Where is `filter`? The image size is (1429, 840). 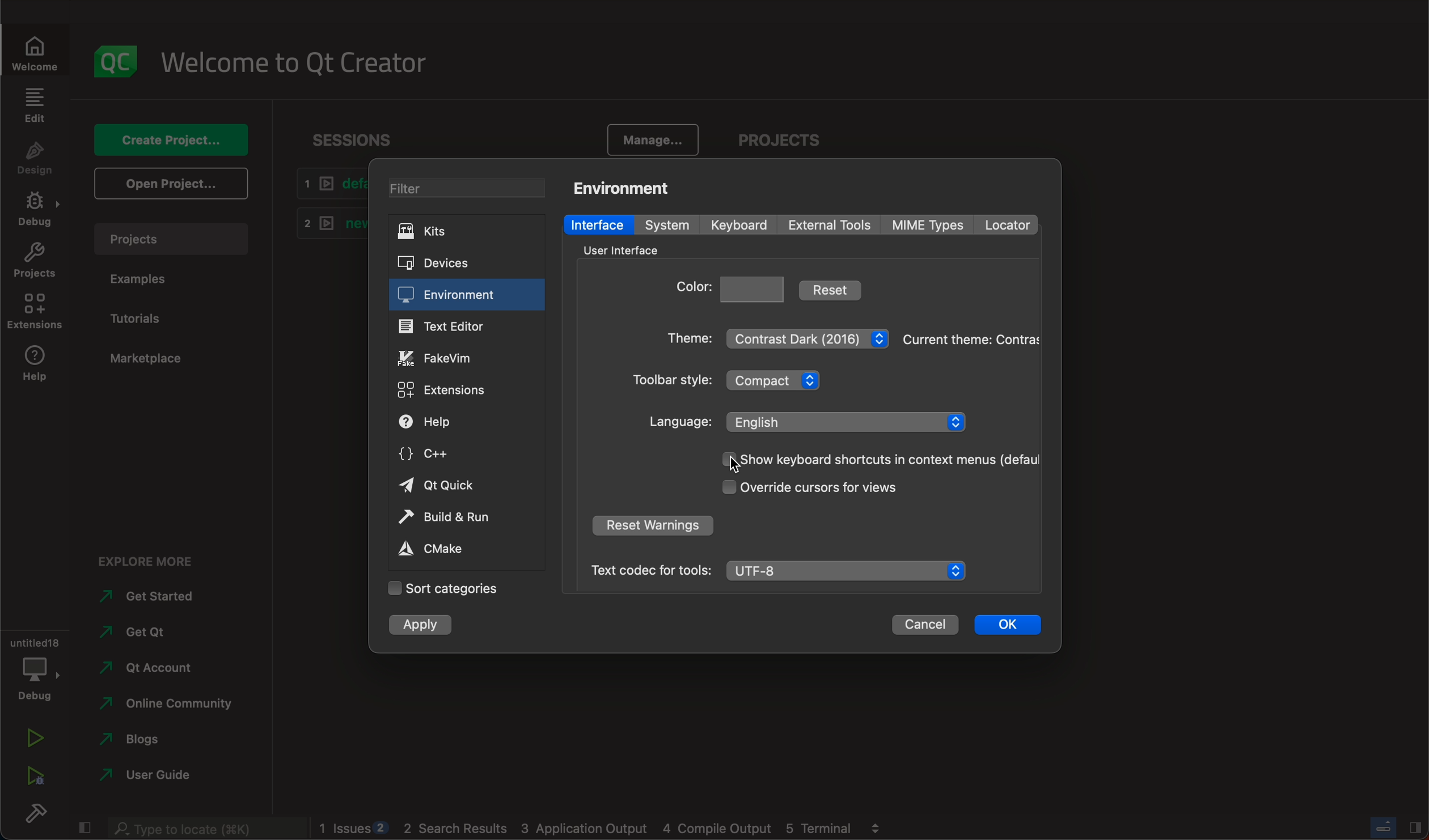
filter is located at coordinates (467, 190).